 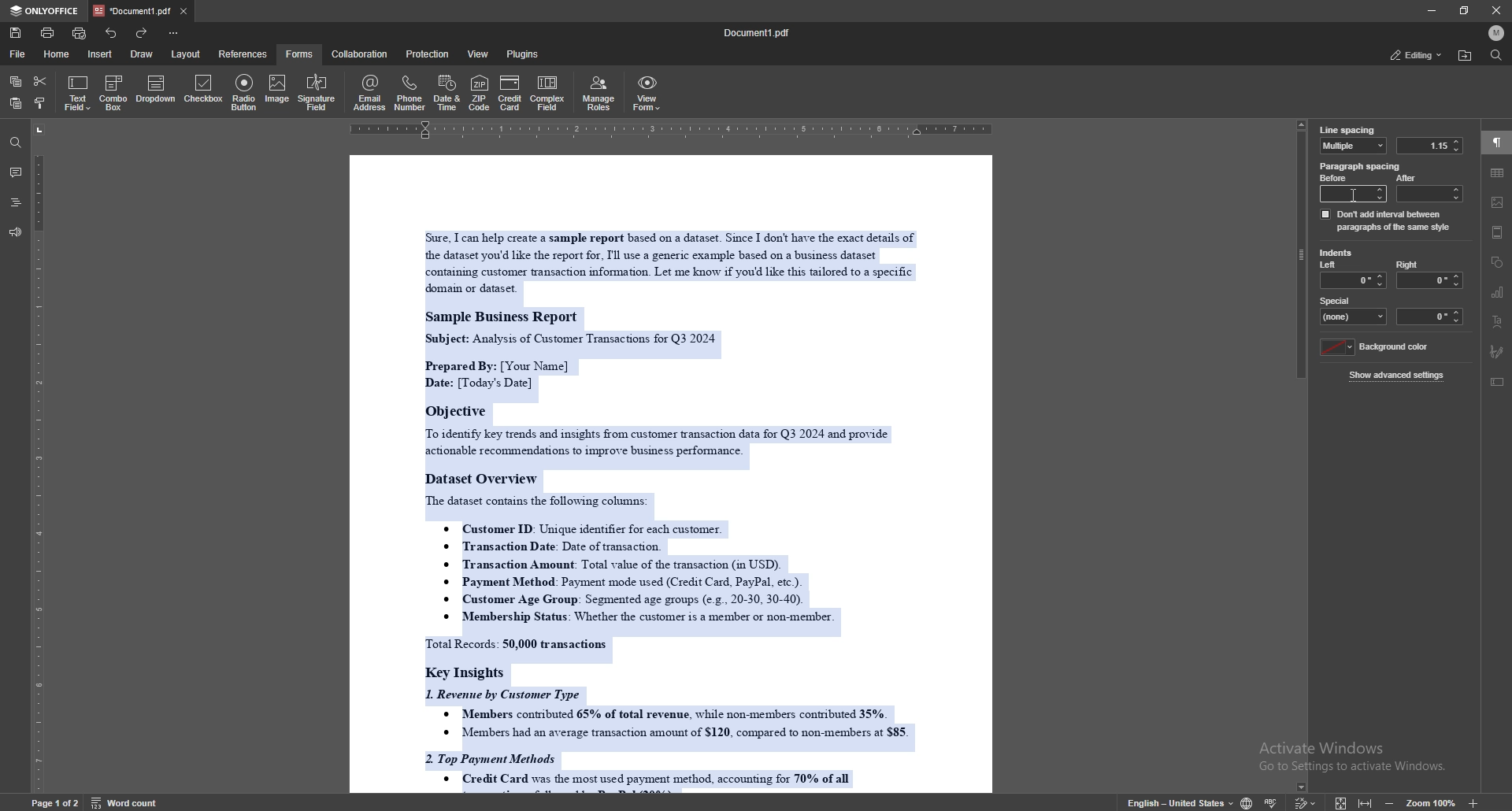 I want to click on references, so click(x=244, y=54).